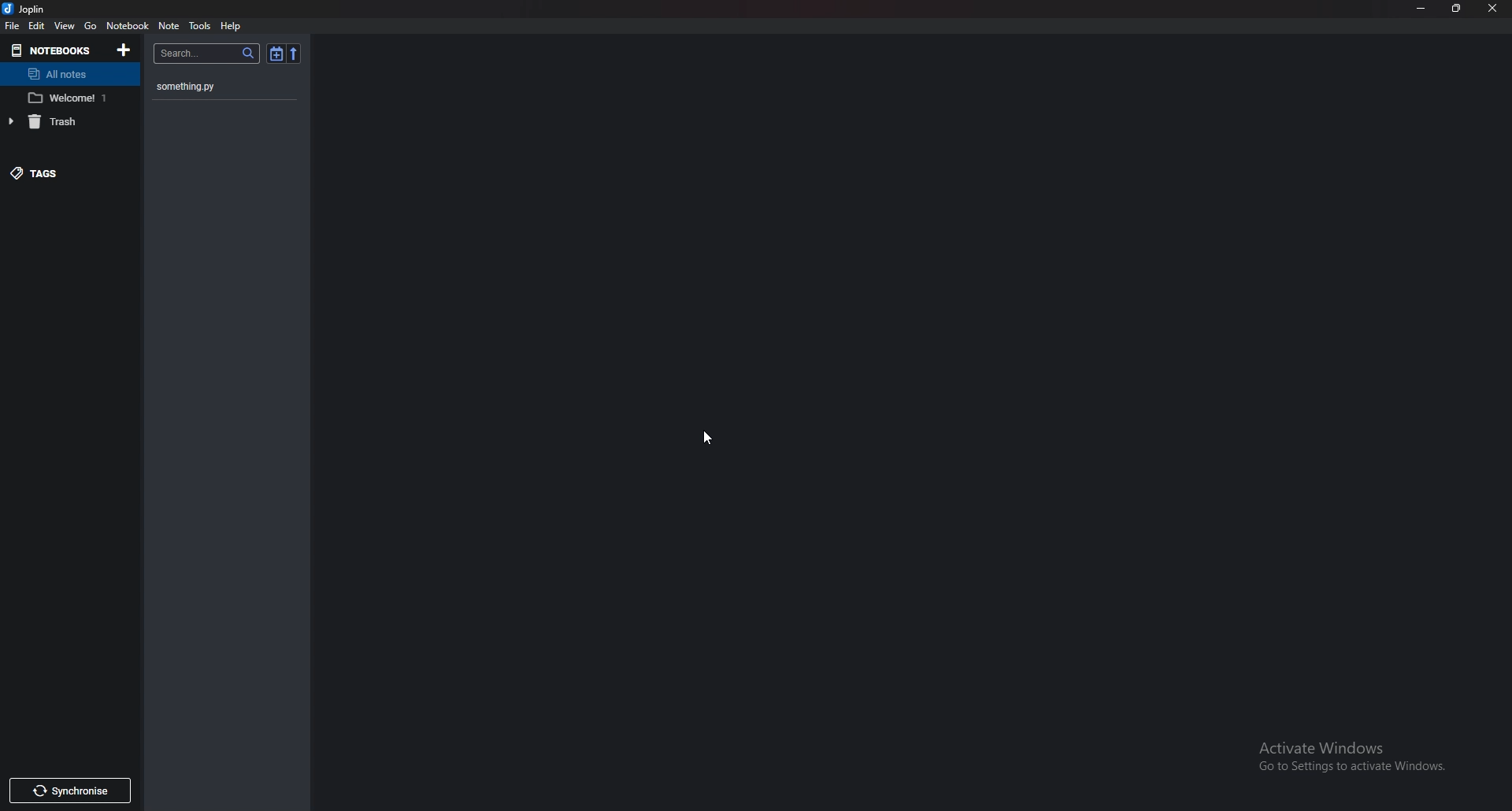 This screenshot has width=1512, height=811. I want to click on help, so click(231, 27).